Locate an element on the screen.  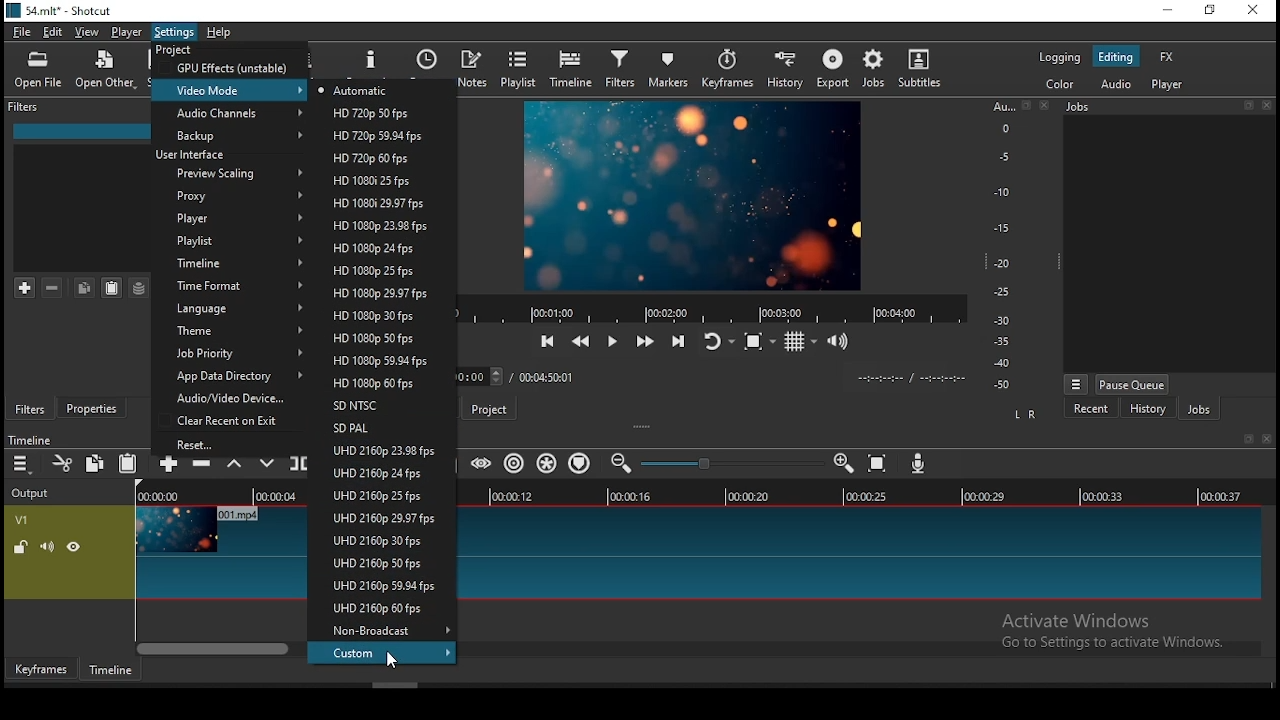
file is located at coordinates (22, 34).